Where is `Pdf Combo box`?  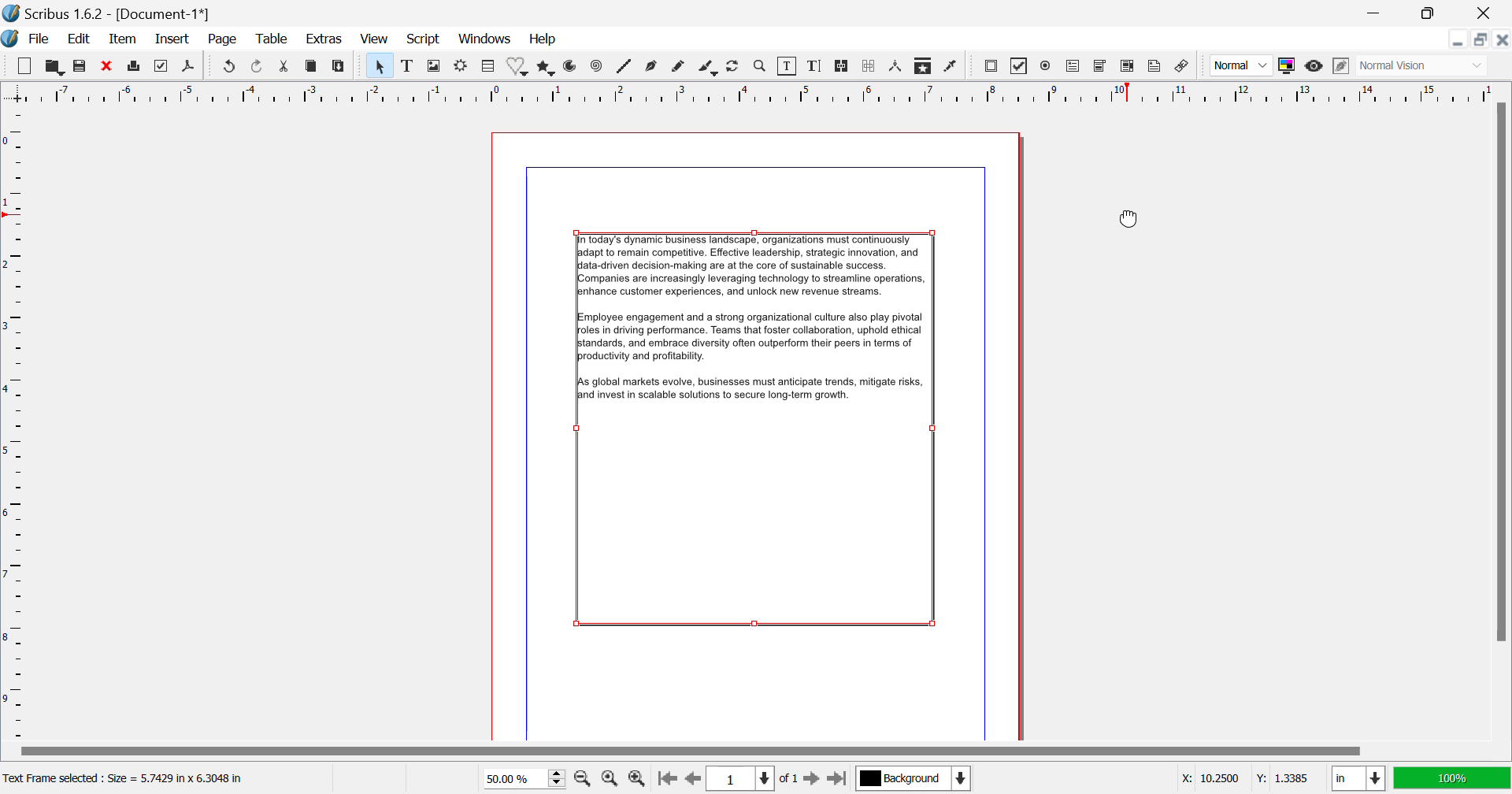 Pdf Combo box is located at coordinates (1101, 64).